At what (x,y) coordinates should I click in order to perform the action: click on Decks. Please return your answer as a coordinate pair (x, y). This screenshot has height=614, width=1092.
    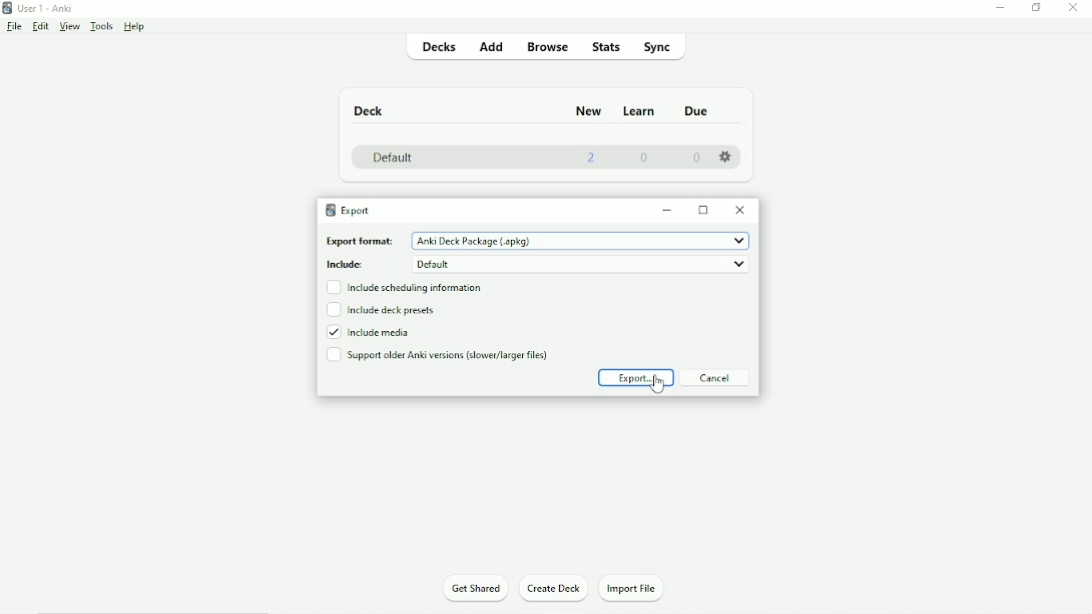
    Looking at the image, I should click on (435, 46).